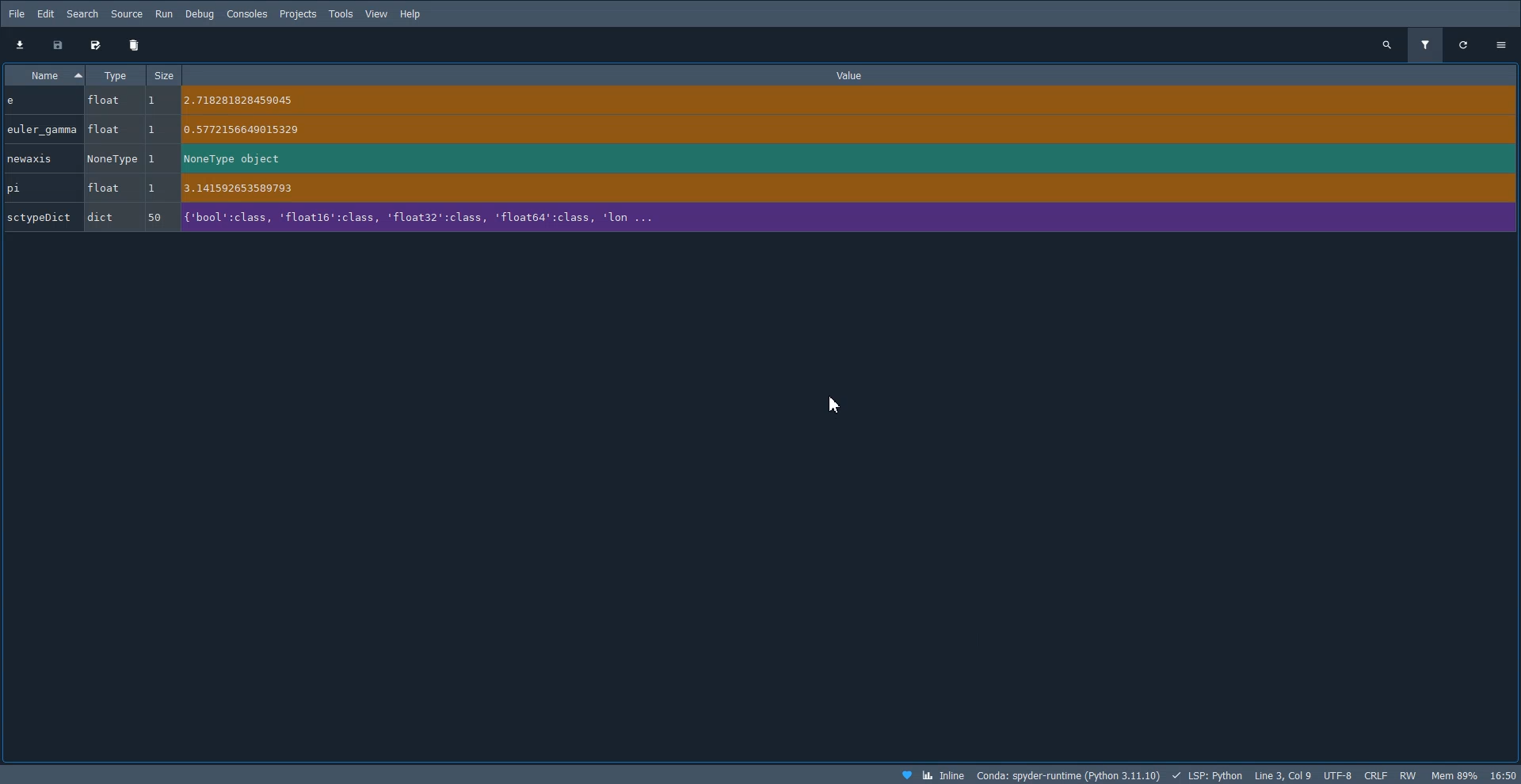  What do you see at coordinates (164, 13) in the screenshot?
I see `Run` at bounding box center [164, 13].